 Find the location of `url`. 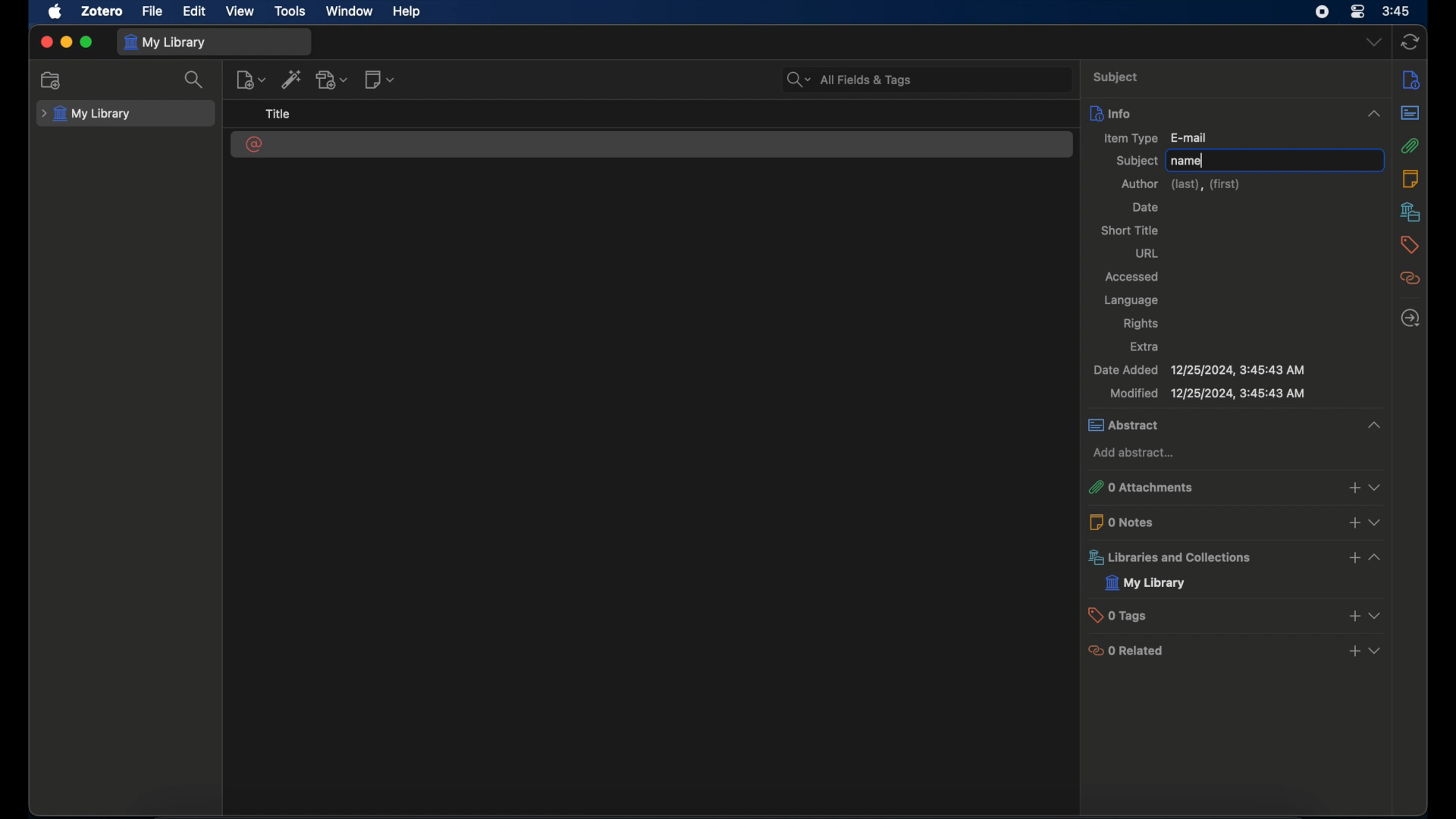

url is located at coordinates (1147, 253).